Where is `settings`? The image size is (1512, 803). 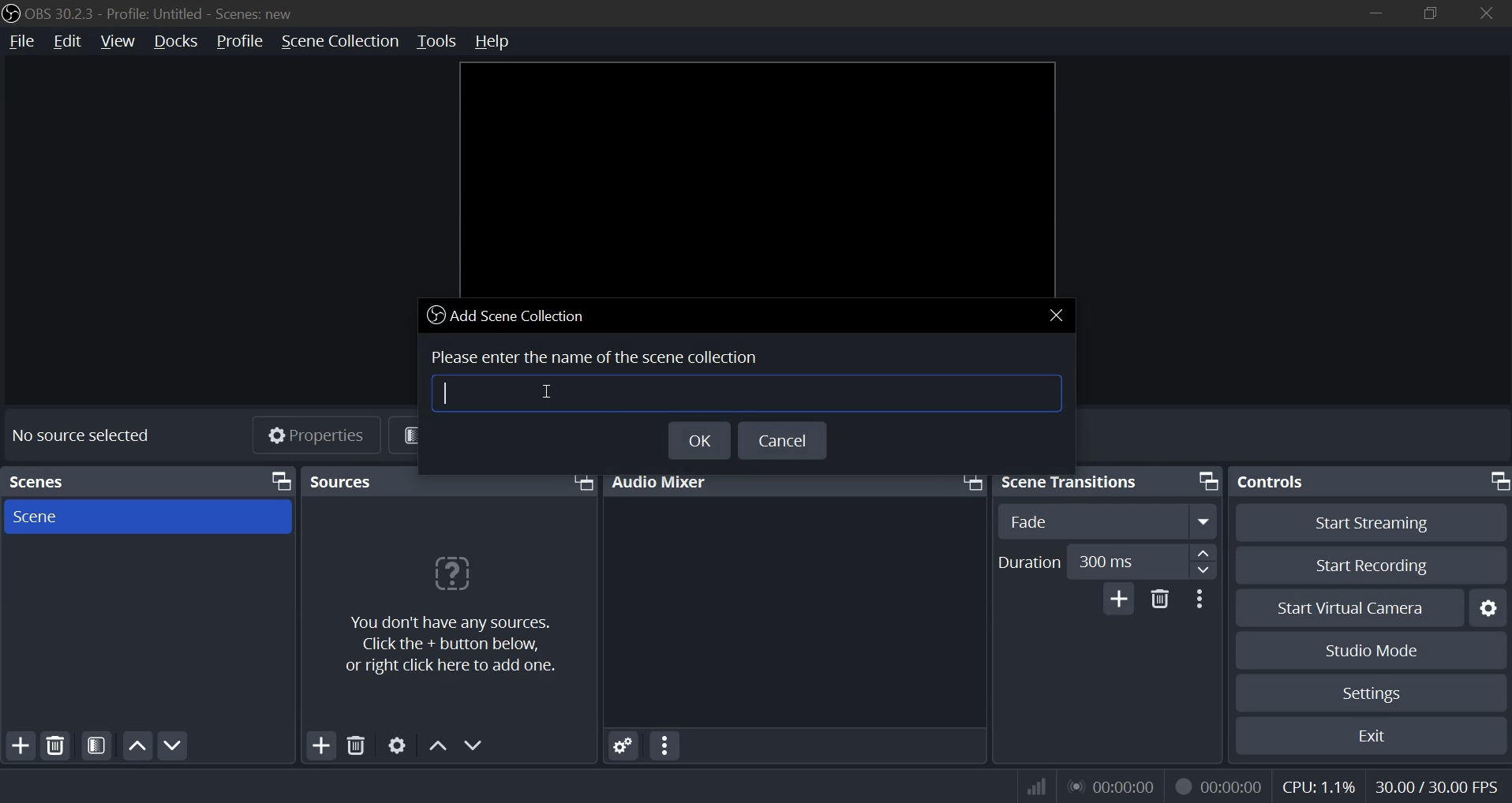
settings is located at coordinates (619, 745).